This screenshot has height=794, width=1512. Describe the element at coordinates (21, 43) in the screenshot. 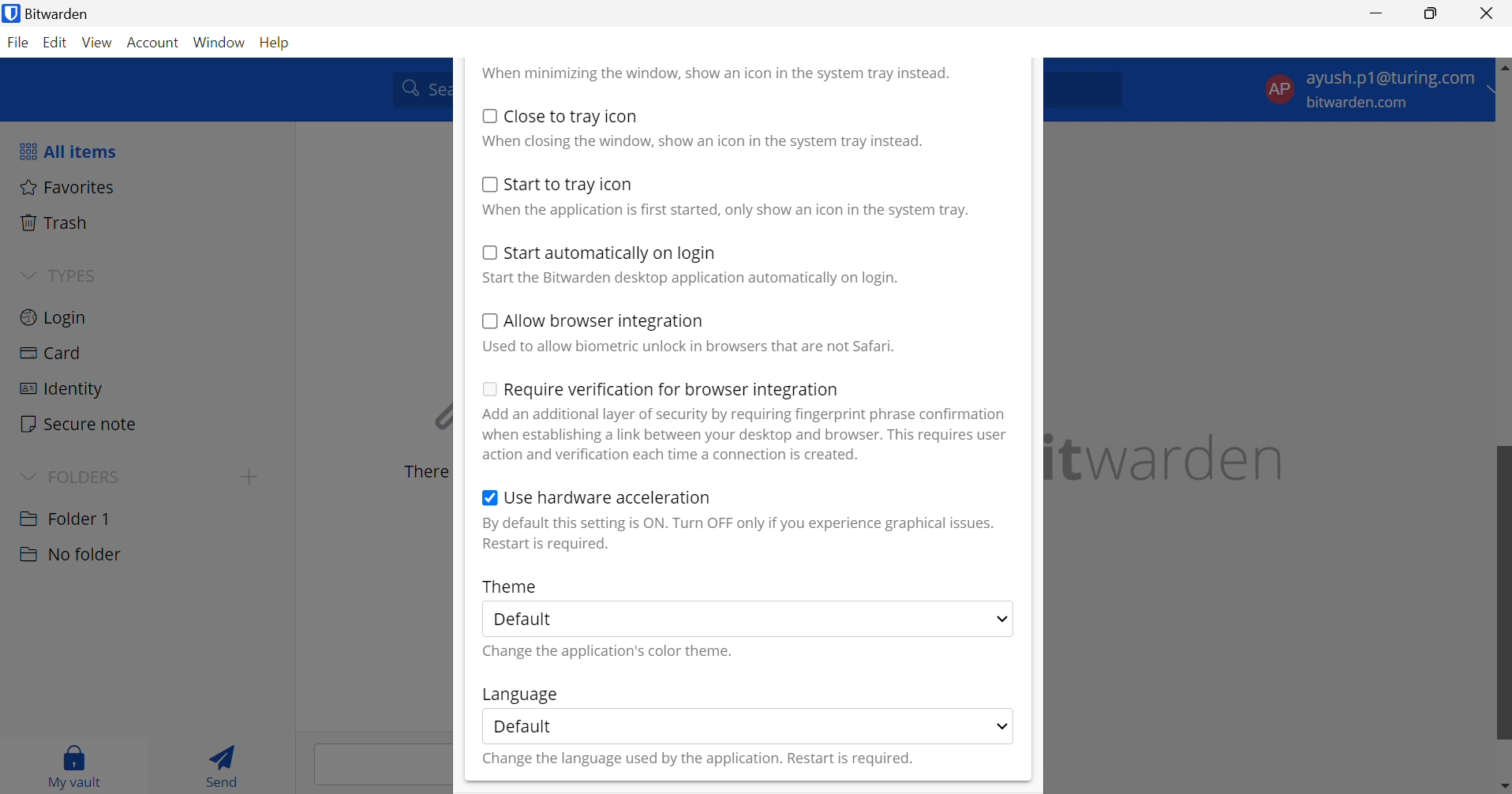

I see `File` at that location.